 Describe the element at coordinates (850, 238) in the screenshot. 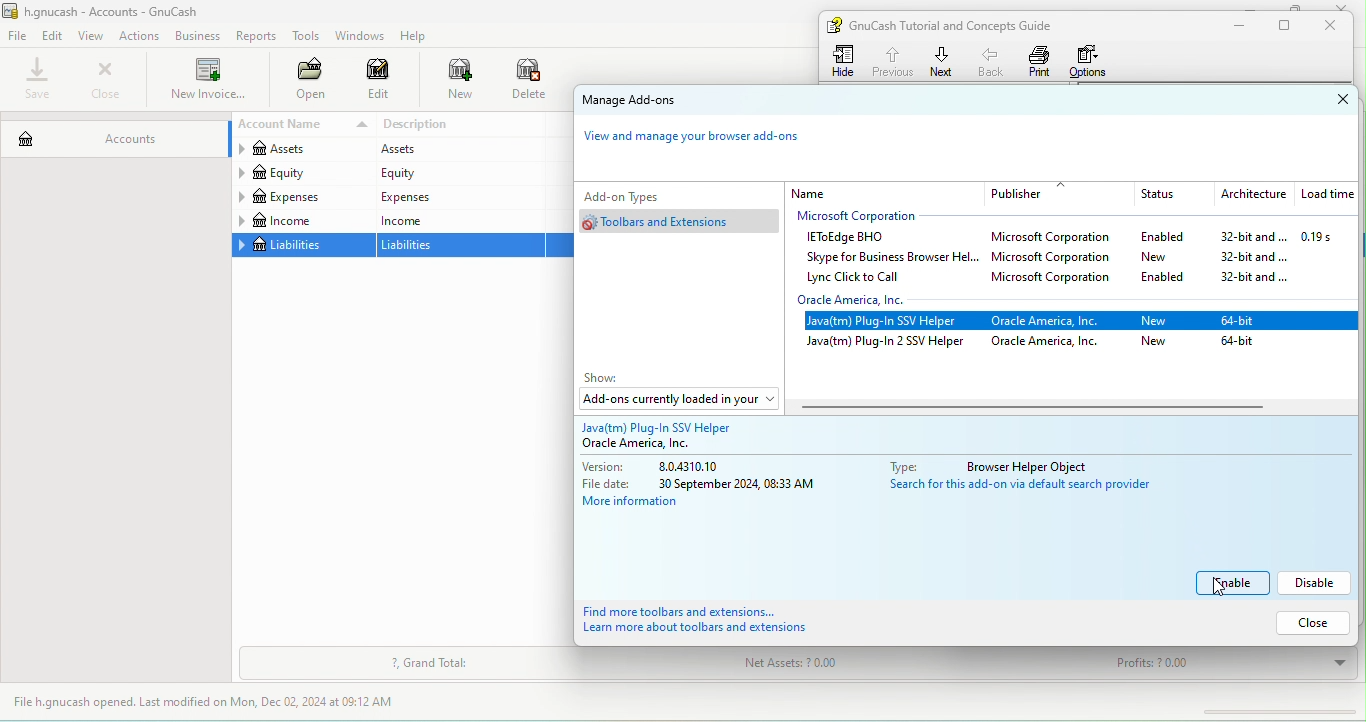

I see `ietoedge bho` at that location.